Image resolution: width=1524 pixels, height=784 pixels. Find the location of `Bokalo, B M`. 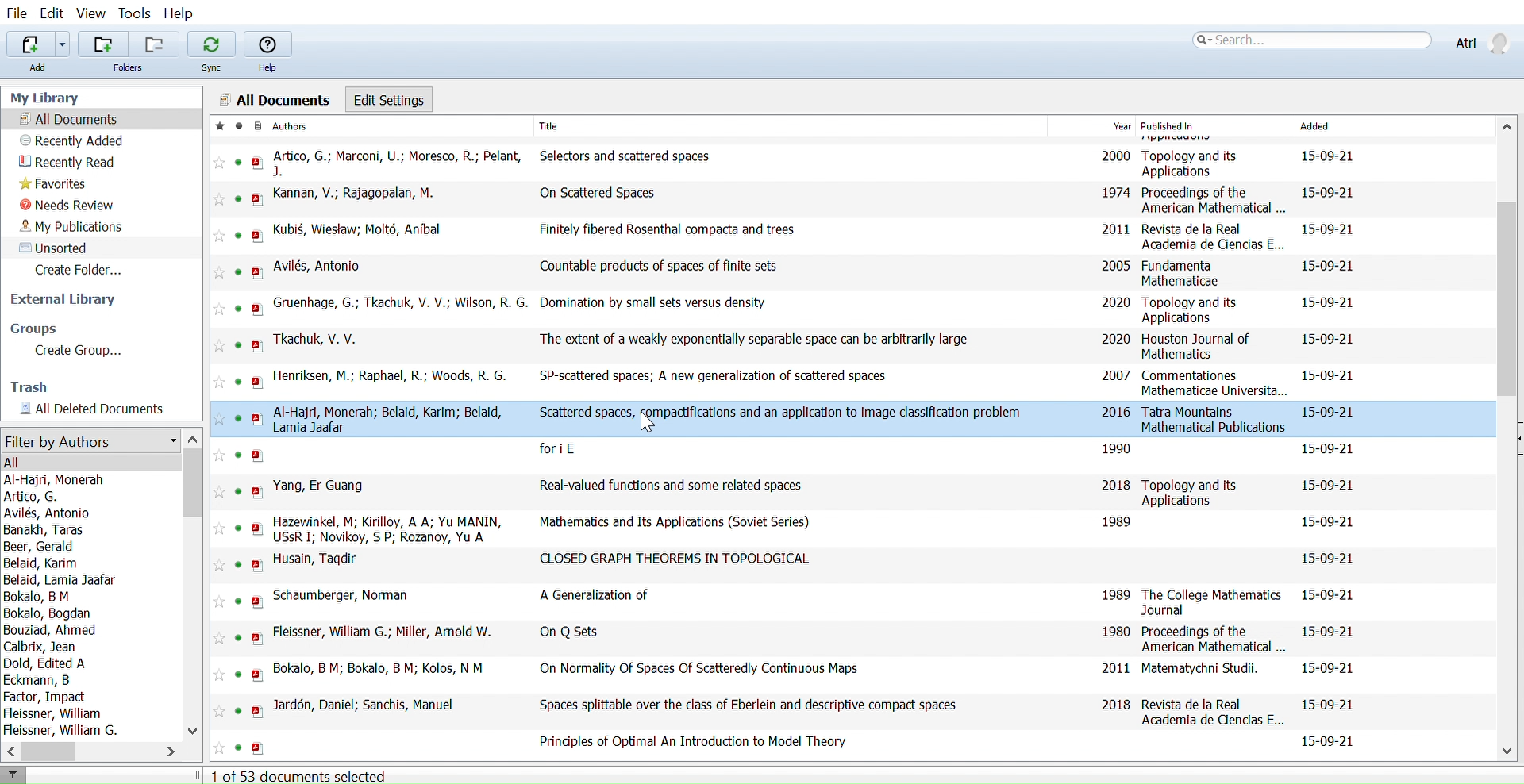

Bokalo, B M is located at coordinates (35, 596).